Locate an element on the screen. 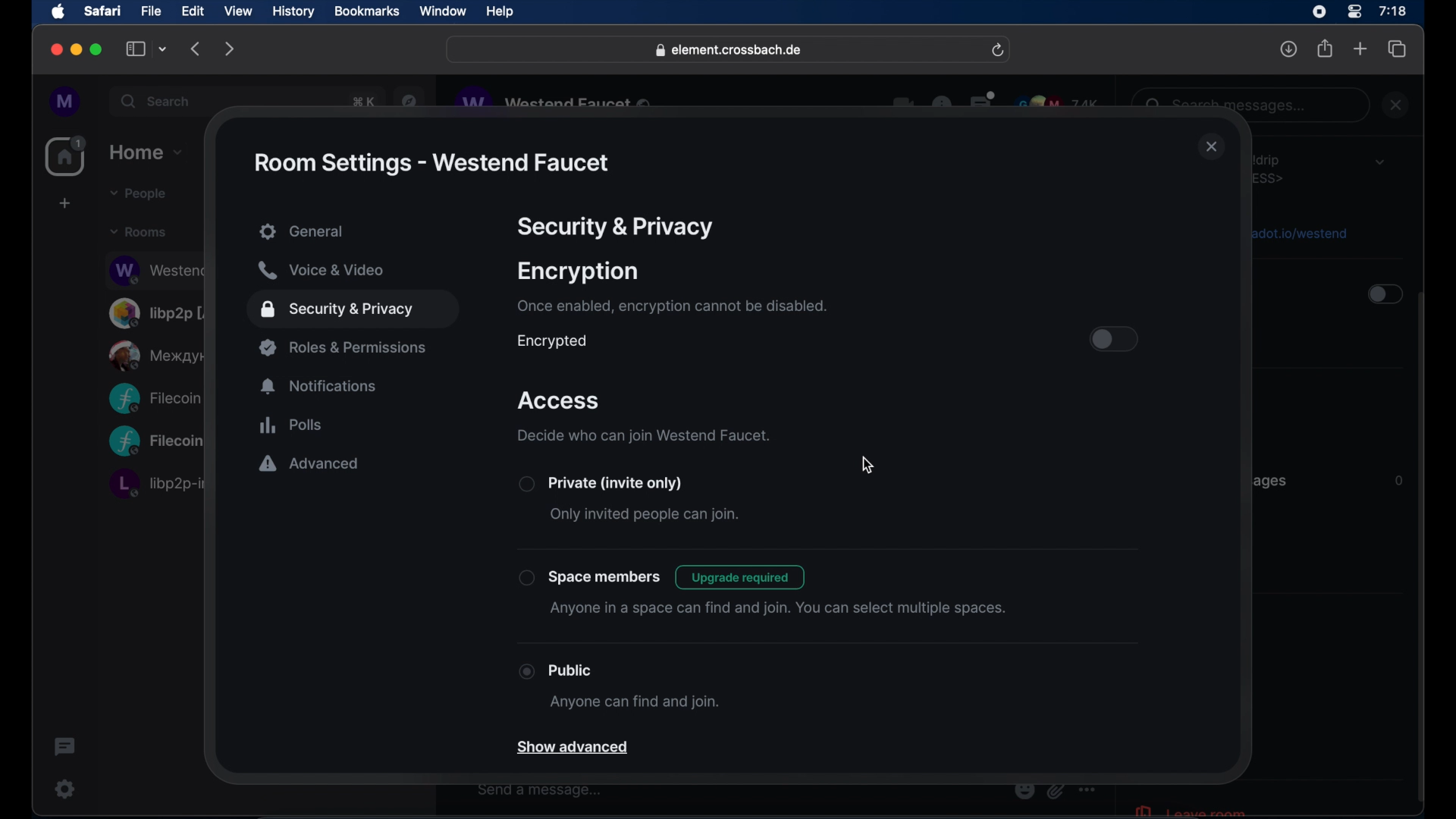  settings is located at coordinates (66, 789).